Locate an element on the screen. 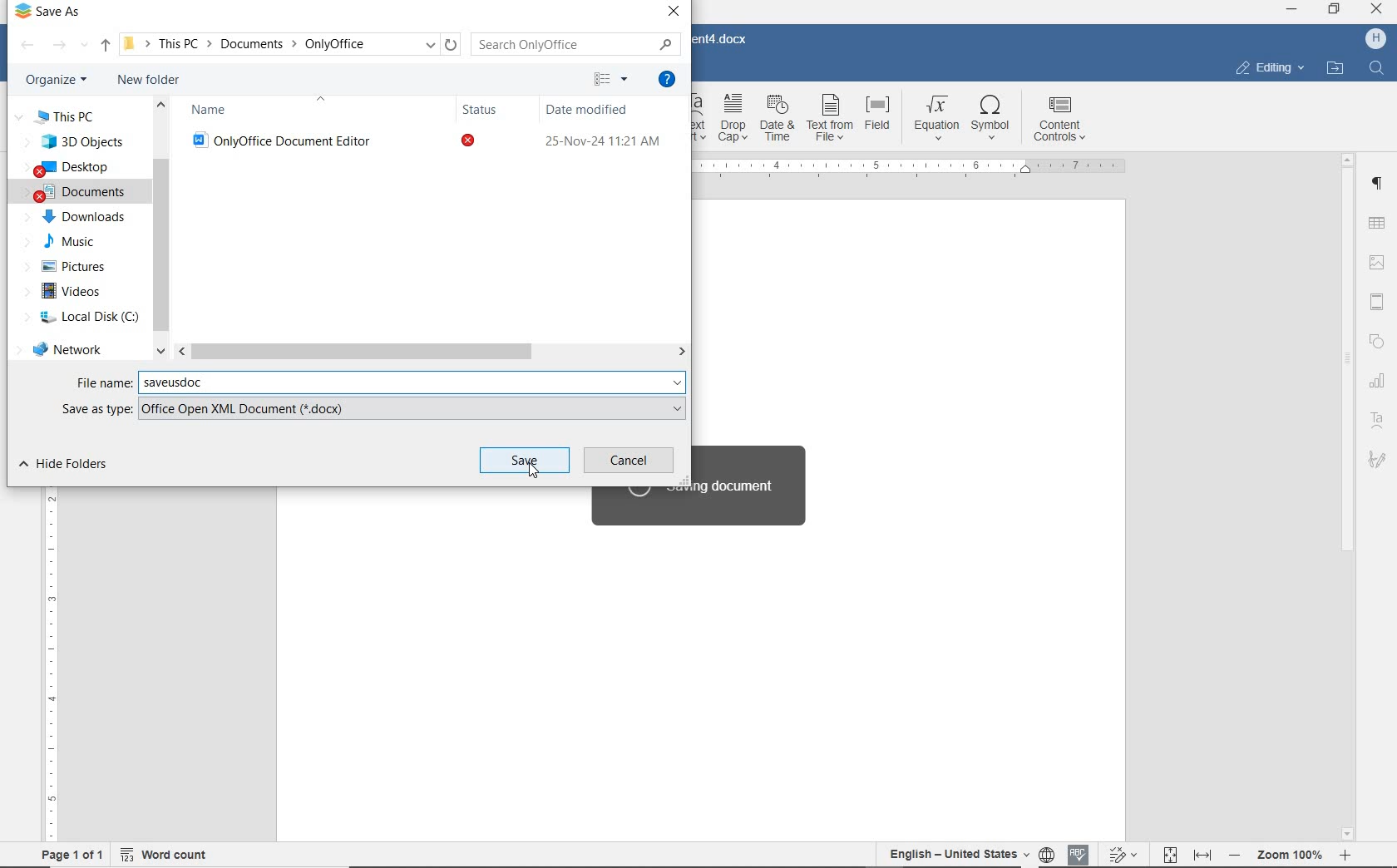 Image resolution: width=1397 pixels, height=868 pixels. PICTURES is located at coordinates (66, 267).